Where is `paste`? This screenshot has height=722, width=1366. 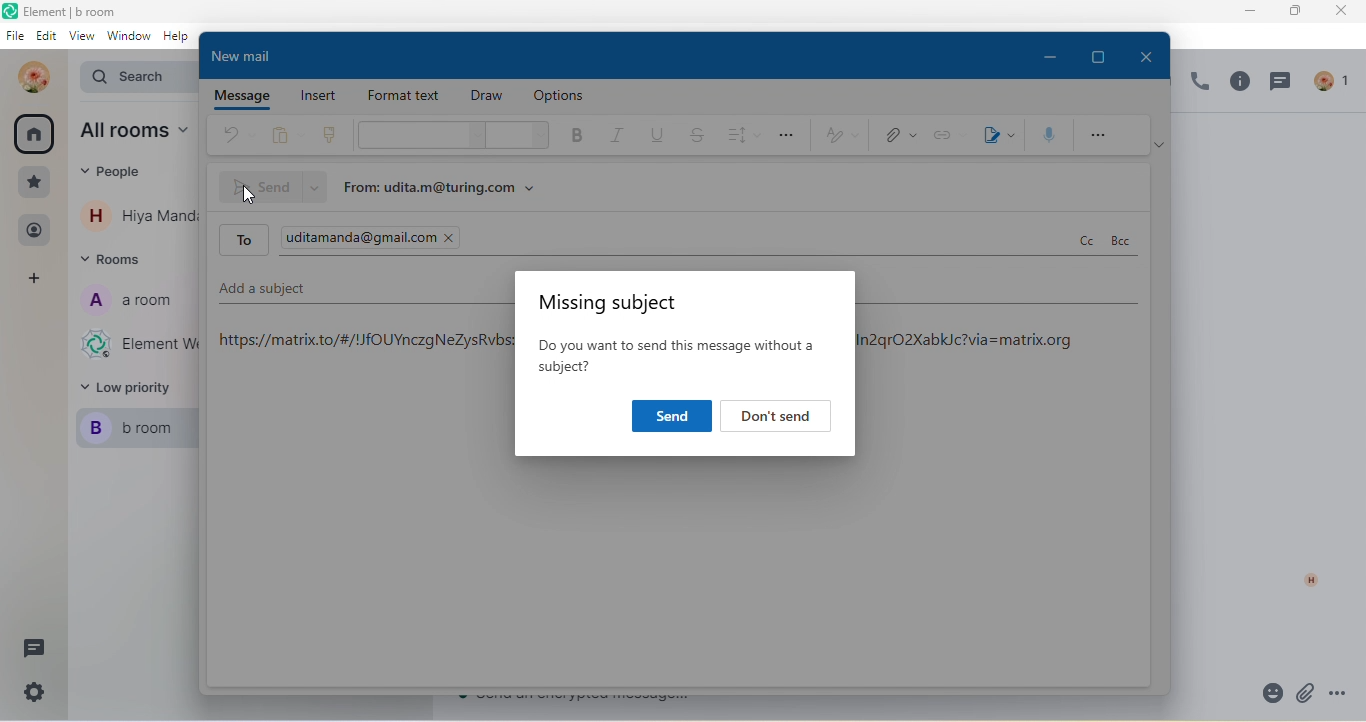
paste is located at coordinates (282, 138).